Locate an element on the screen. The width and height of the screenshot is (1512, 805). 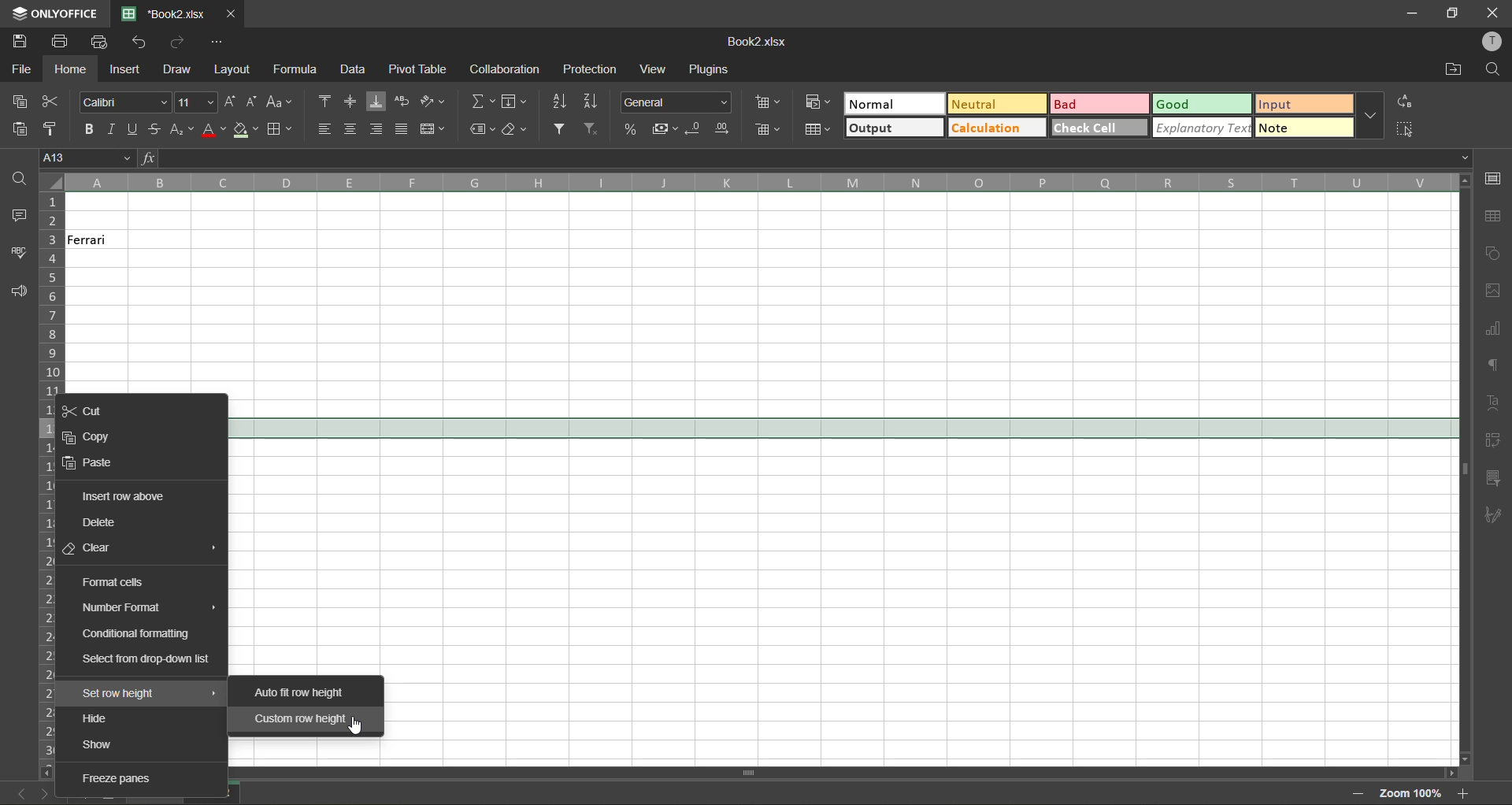
filename is located at coordinates (761, 42).